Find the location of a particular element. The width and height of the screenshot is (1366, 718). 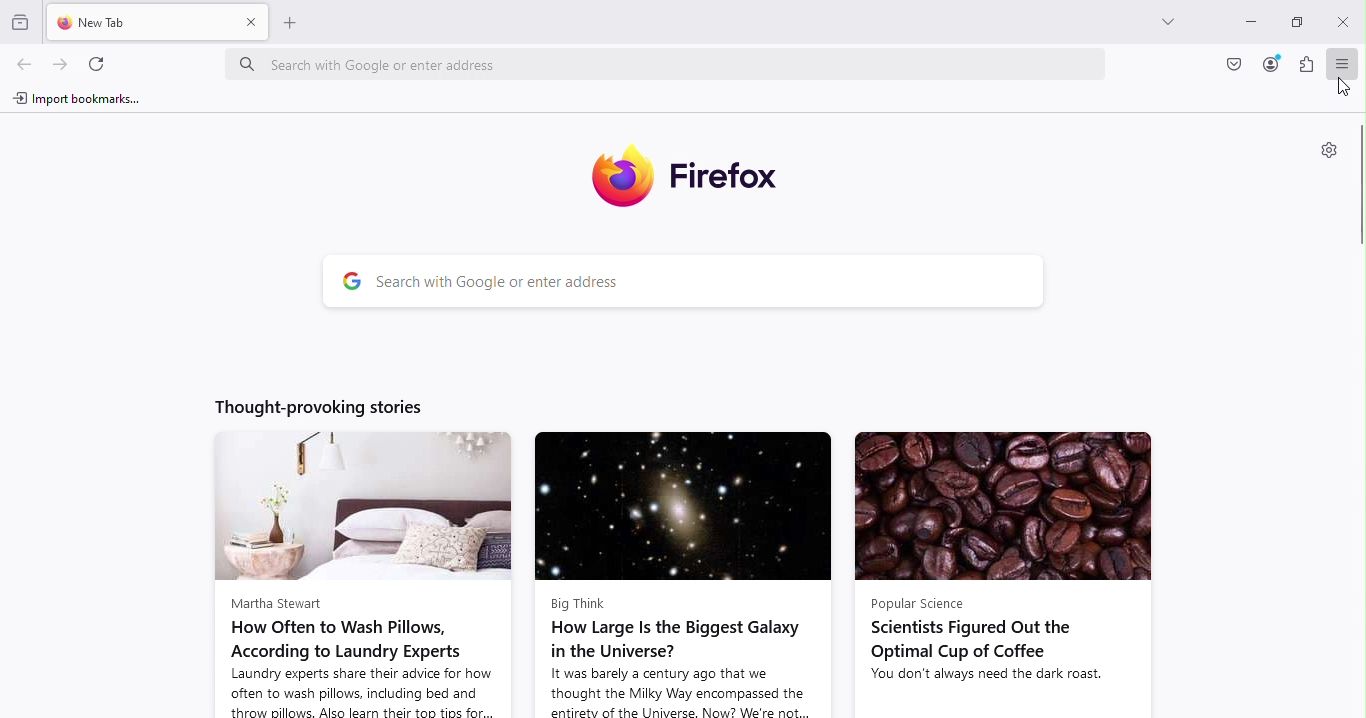

Save to pocket is located at coordinates (1232, 64).